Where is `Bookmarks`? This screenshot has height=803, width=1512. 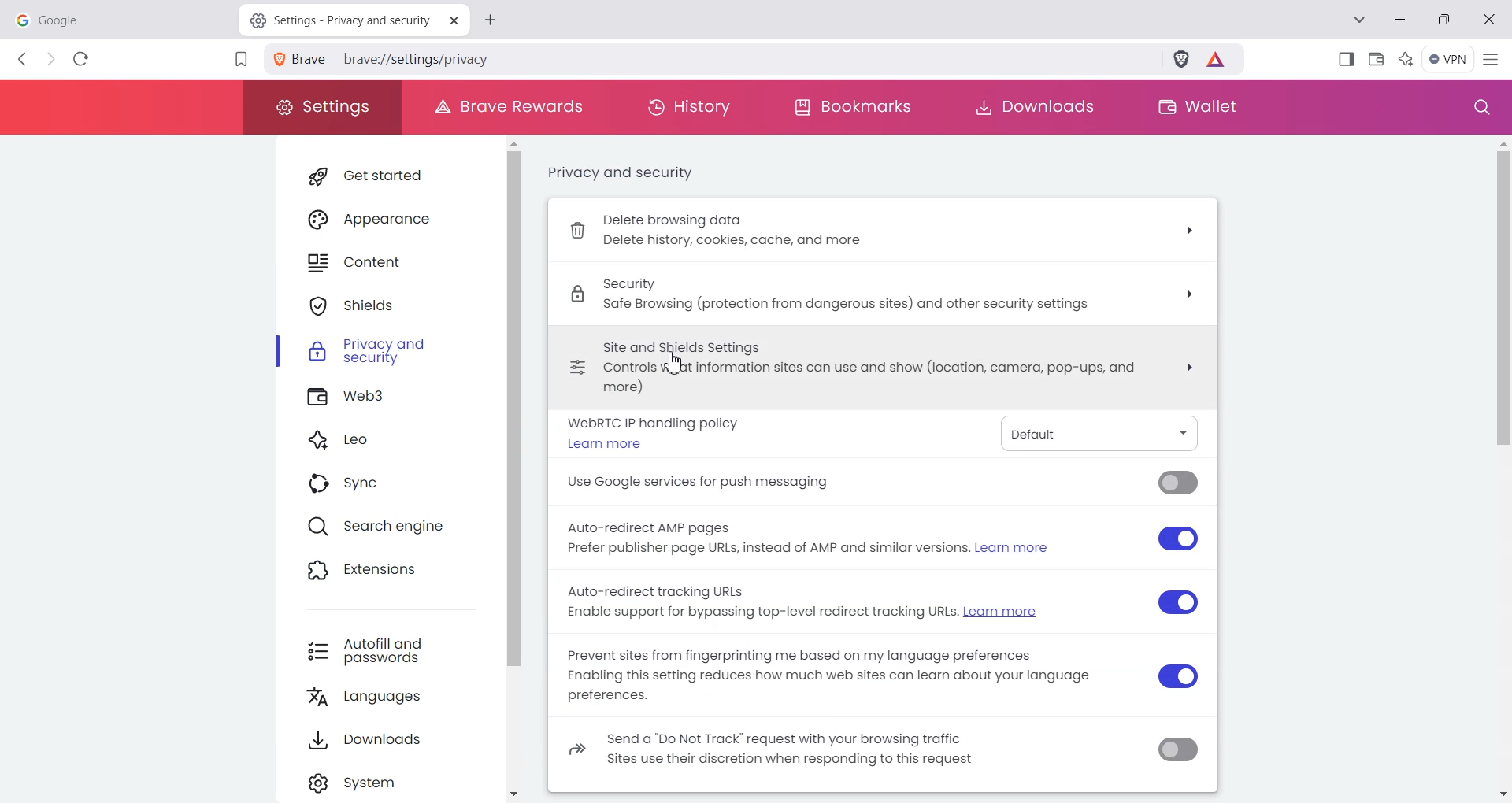
Bookmarks is located at coordinates (852, 108).